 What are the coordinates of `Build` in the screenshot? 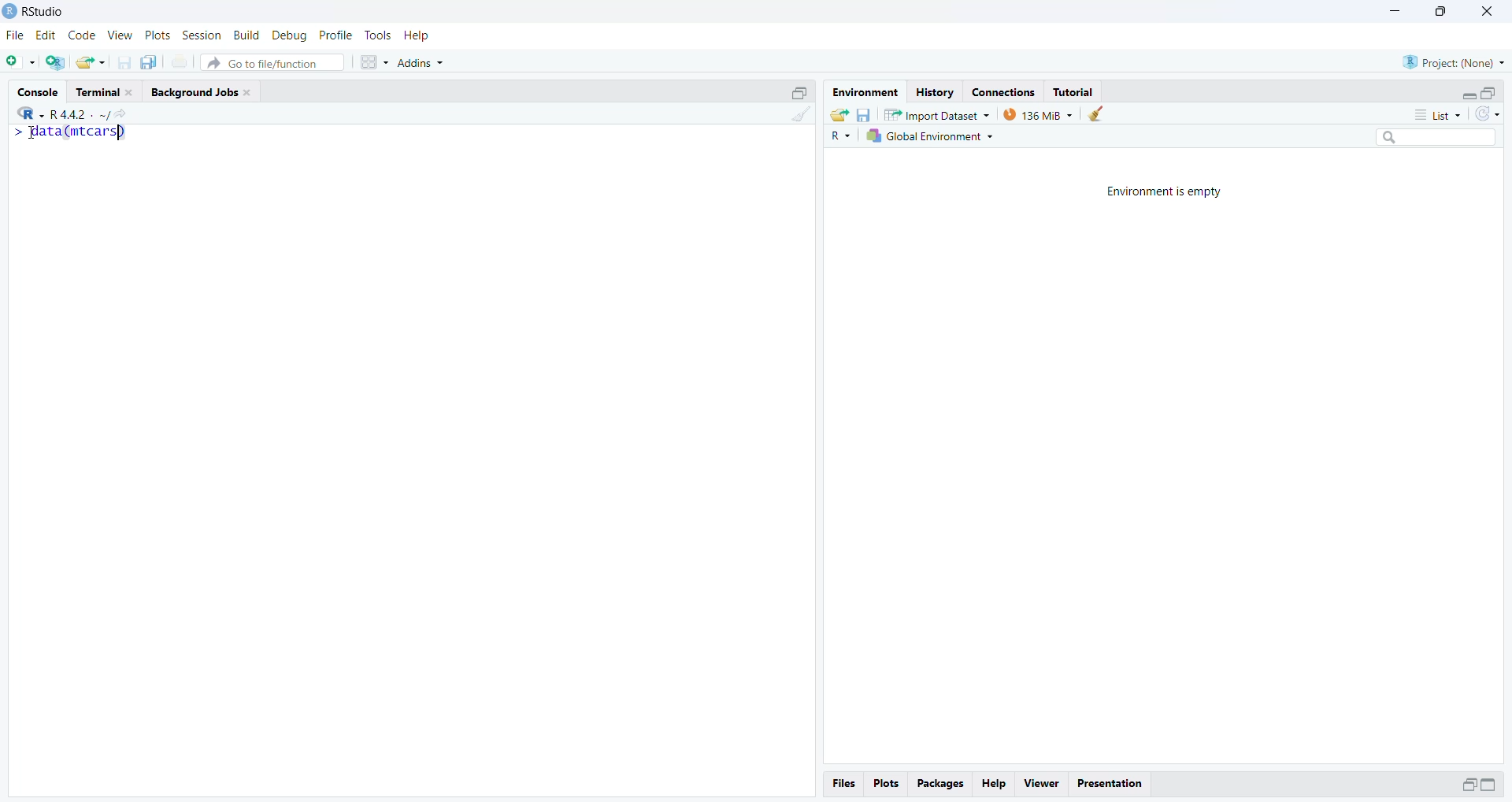 It's located at (248, 35).